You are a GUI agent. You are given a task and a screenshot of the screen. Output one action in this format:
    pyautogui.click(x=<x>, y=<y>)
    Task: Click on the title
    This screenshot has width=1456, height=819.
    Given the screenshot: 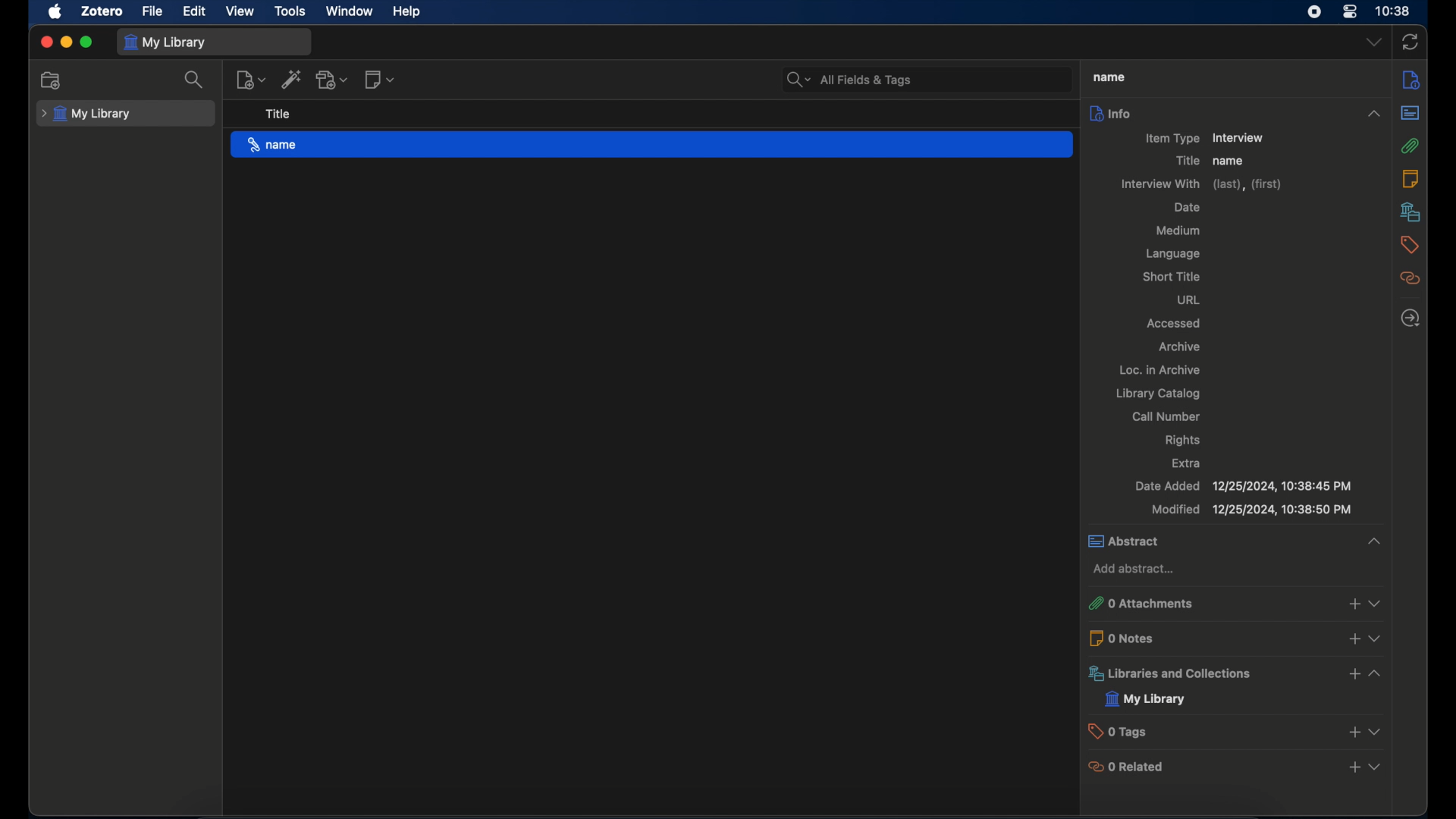 What is the action you would take?
    pyautogui.click(x=1109, y=77)
    